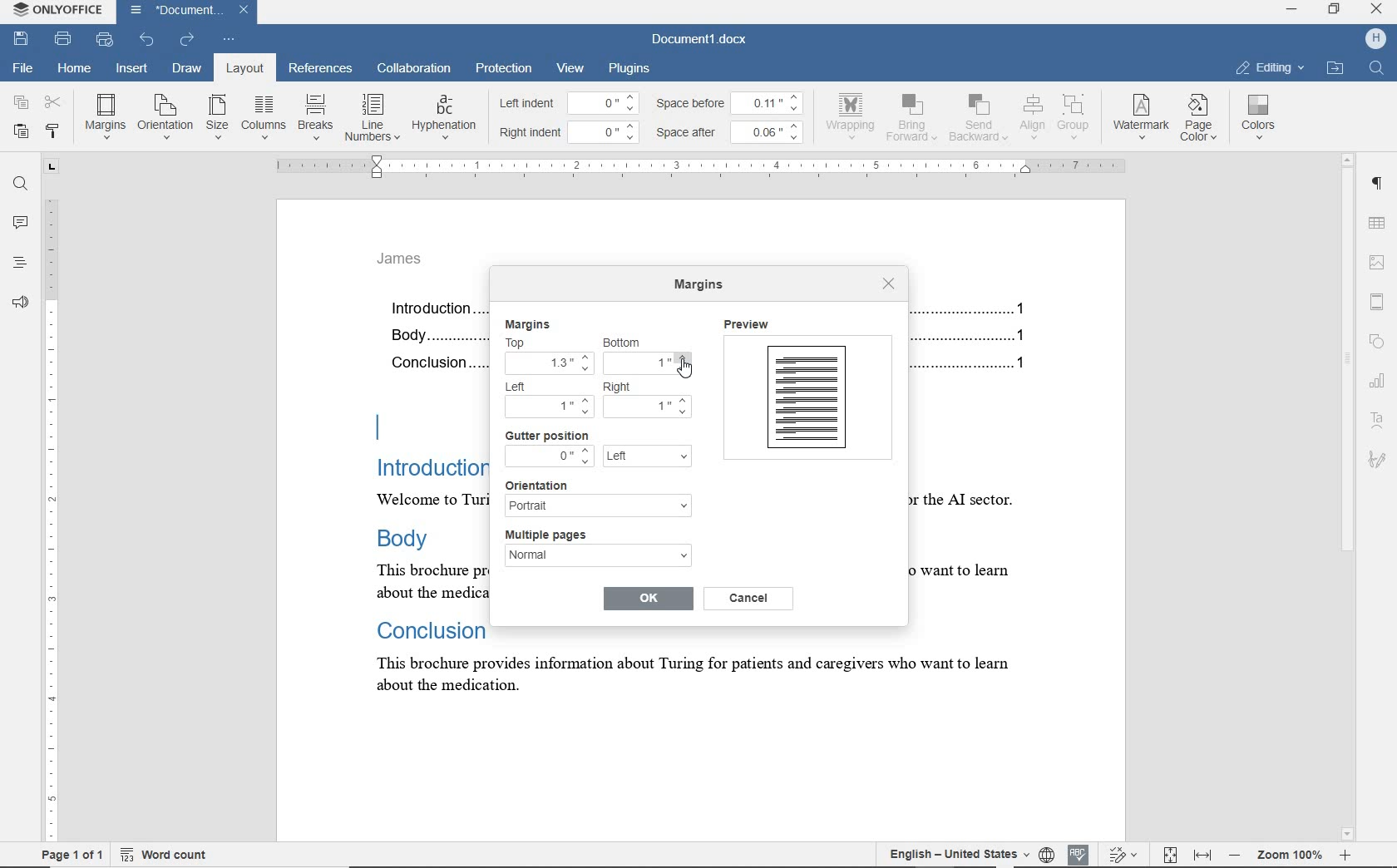 This screenshot has width=1397, height=868. What do you see at coordinates (570, 68) in the screenshot?
I see `view` at bounding box center [570, 68].